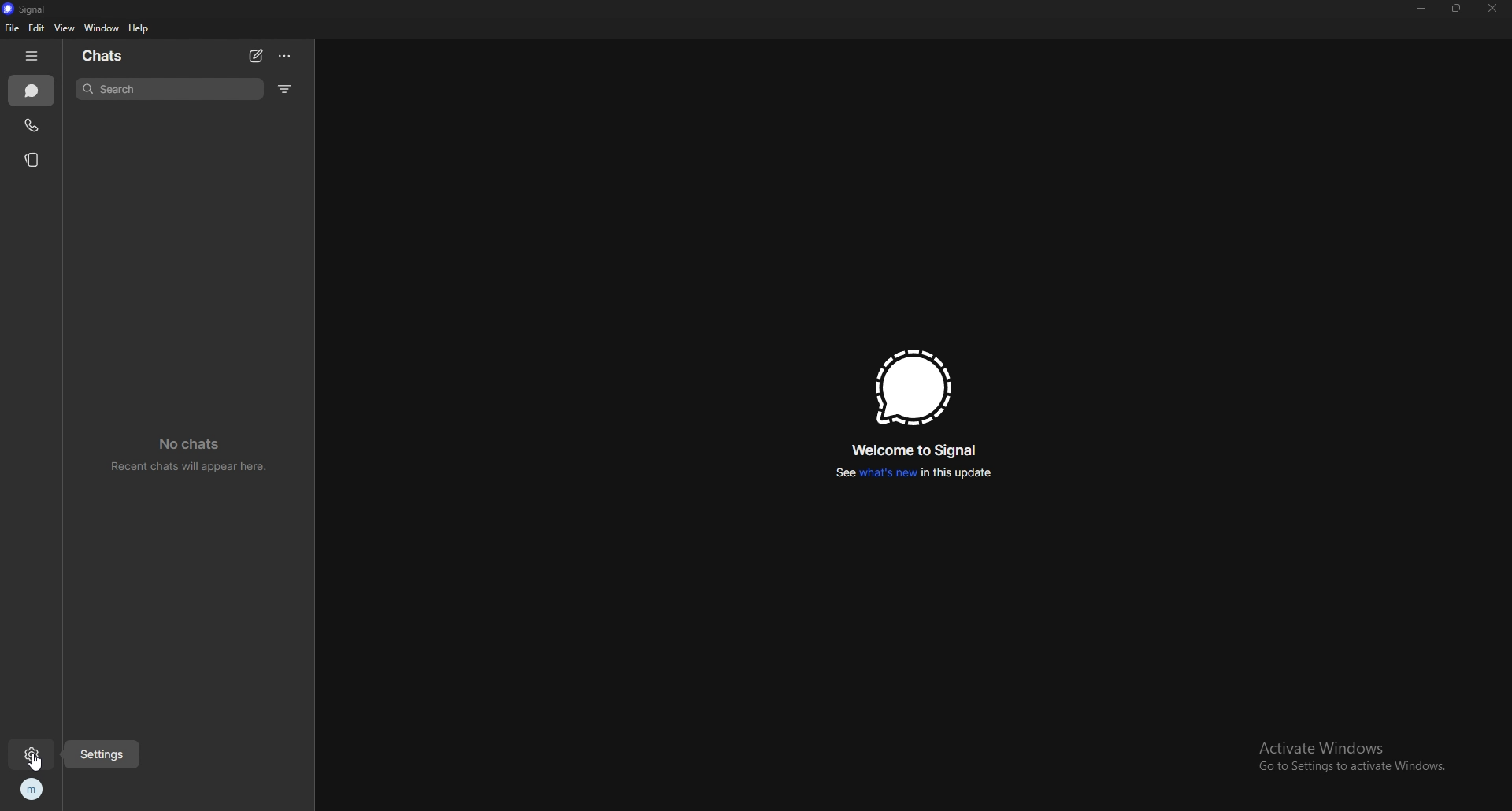 The image size is (1512, 811). What do you see at coordinates (38, 762) in the screenshot?
I see `cursor` at bounding box center [38, 762].